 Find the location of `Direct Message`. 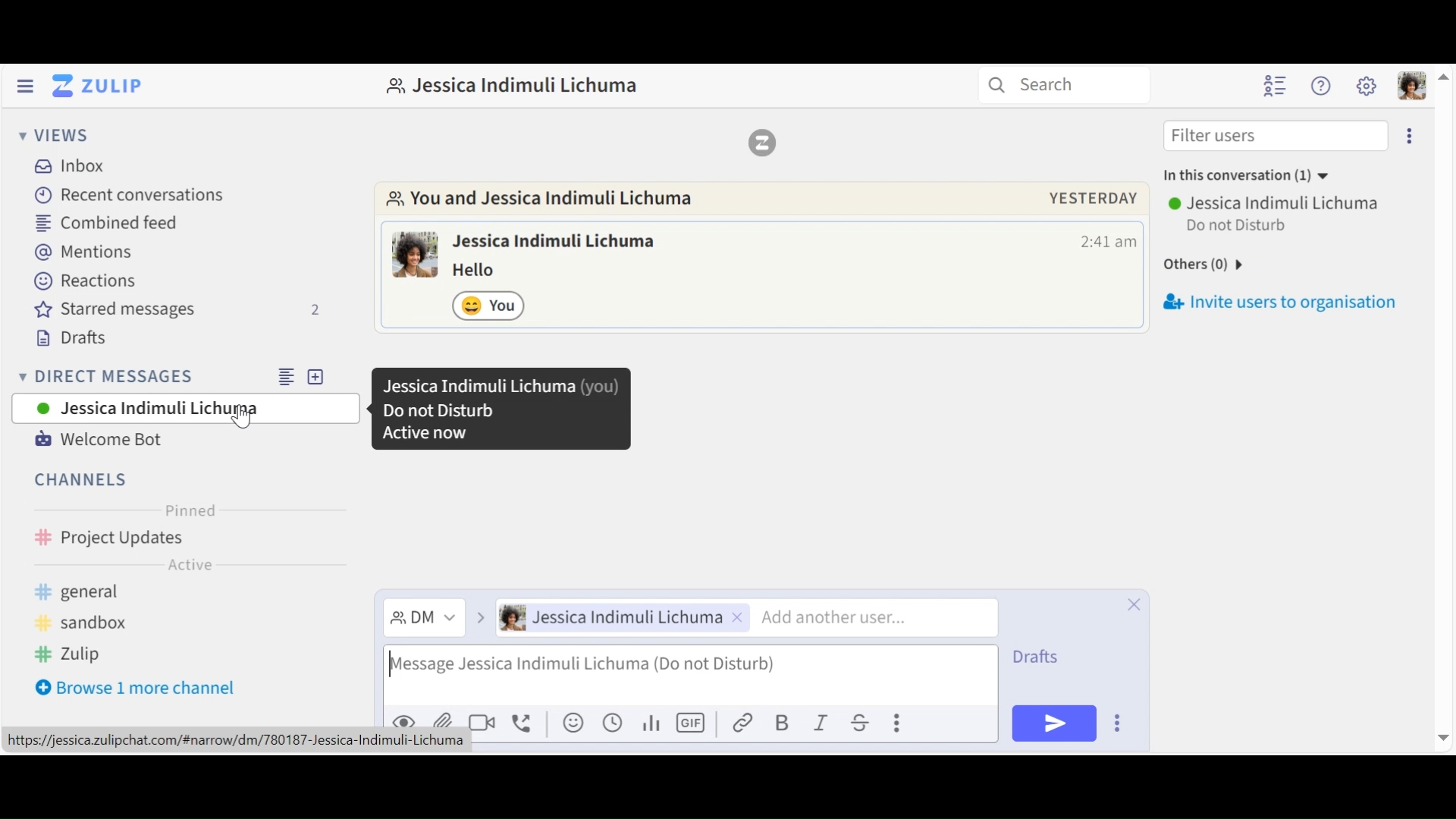

Direct Message is located at coordinates (422, 617).